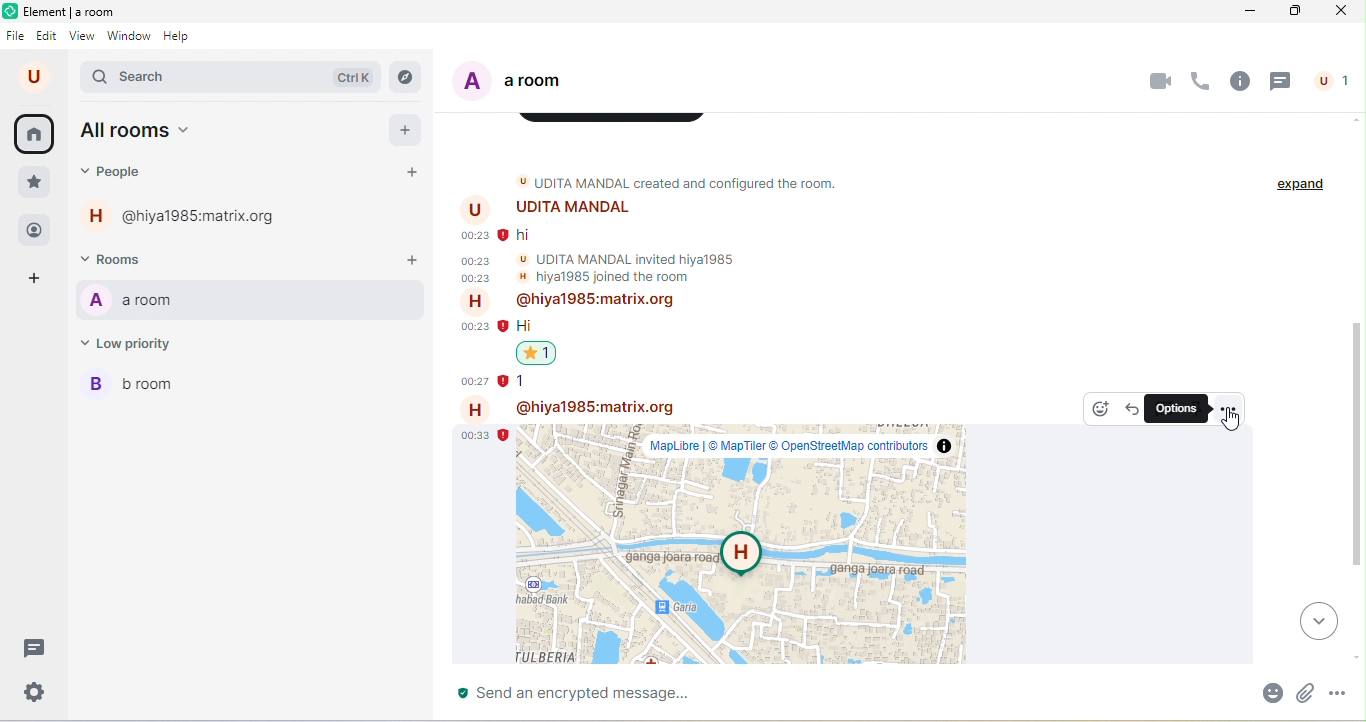 The image size is (1366, 722). Describe the element at coordinates (1299, 185) in the screenshot. I see `expand` at that location.